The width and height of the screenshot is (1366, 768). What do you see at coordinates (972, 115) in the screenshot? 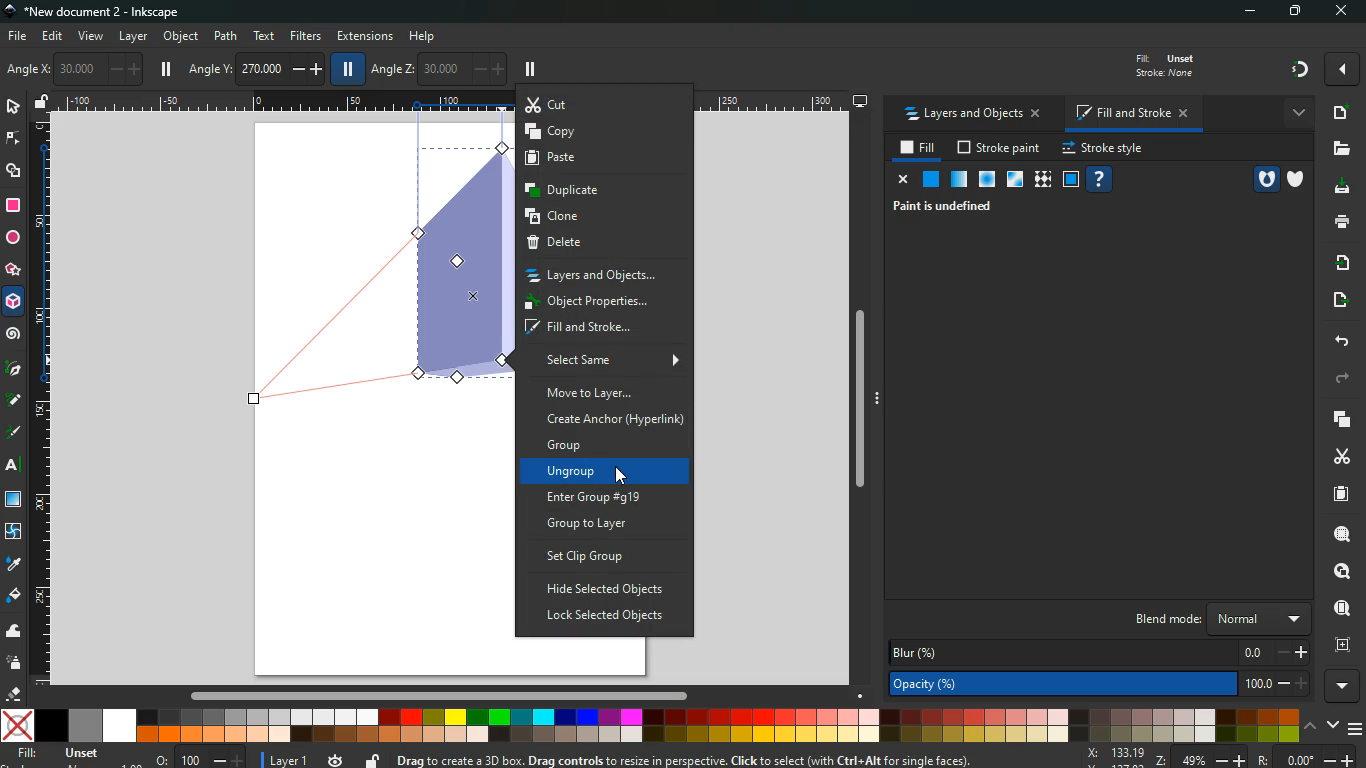
I see `layers and objects` at bounding box center [972, 115].